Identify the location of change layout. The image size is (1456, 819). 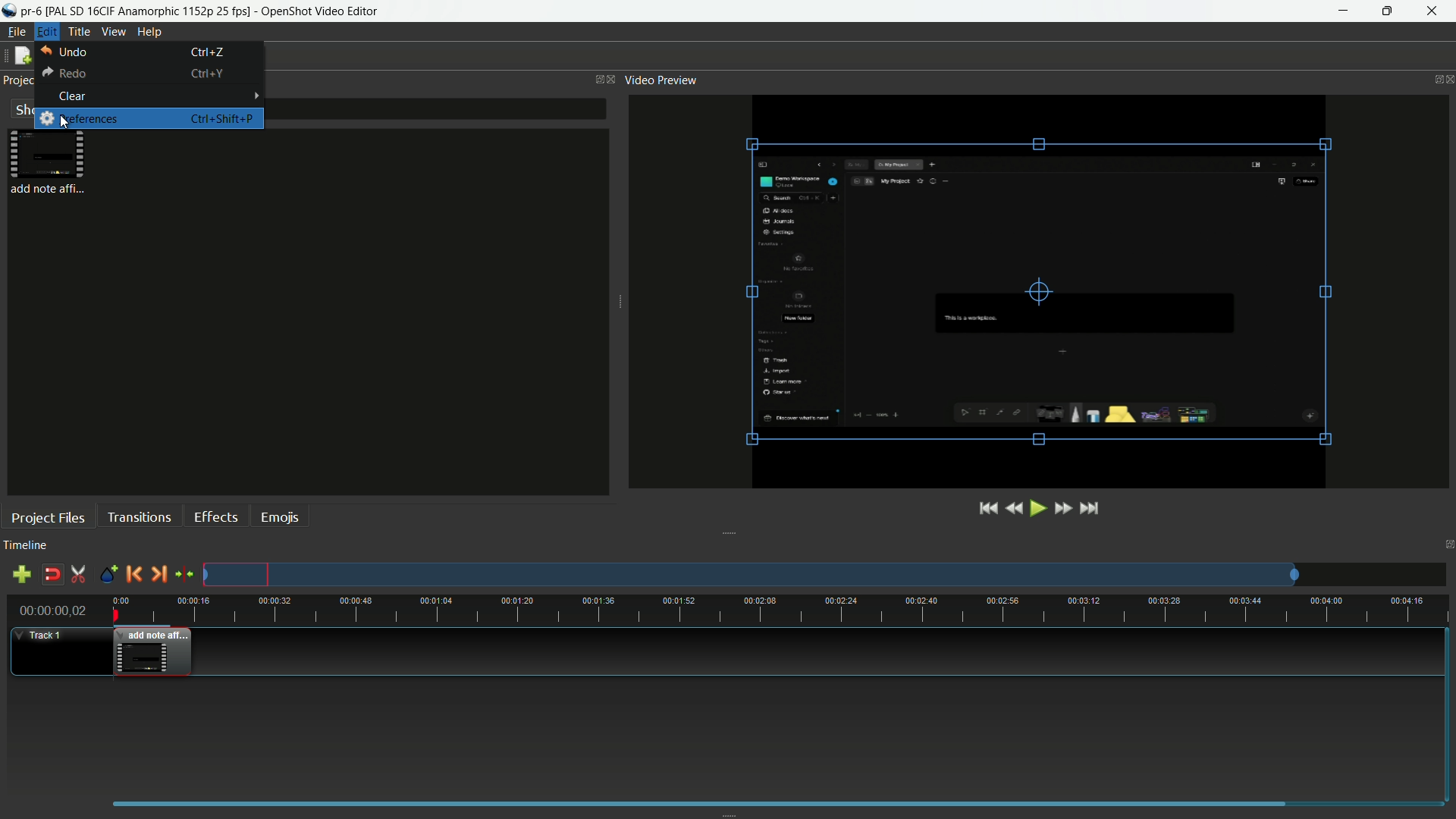
(1433, 78).